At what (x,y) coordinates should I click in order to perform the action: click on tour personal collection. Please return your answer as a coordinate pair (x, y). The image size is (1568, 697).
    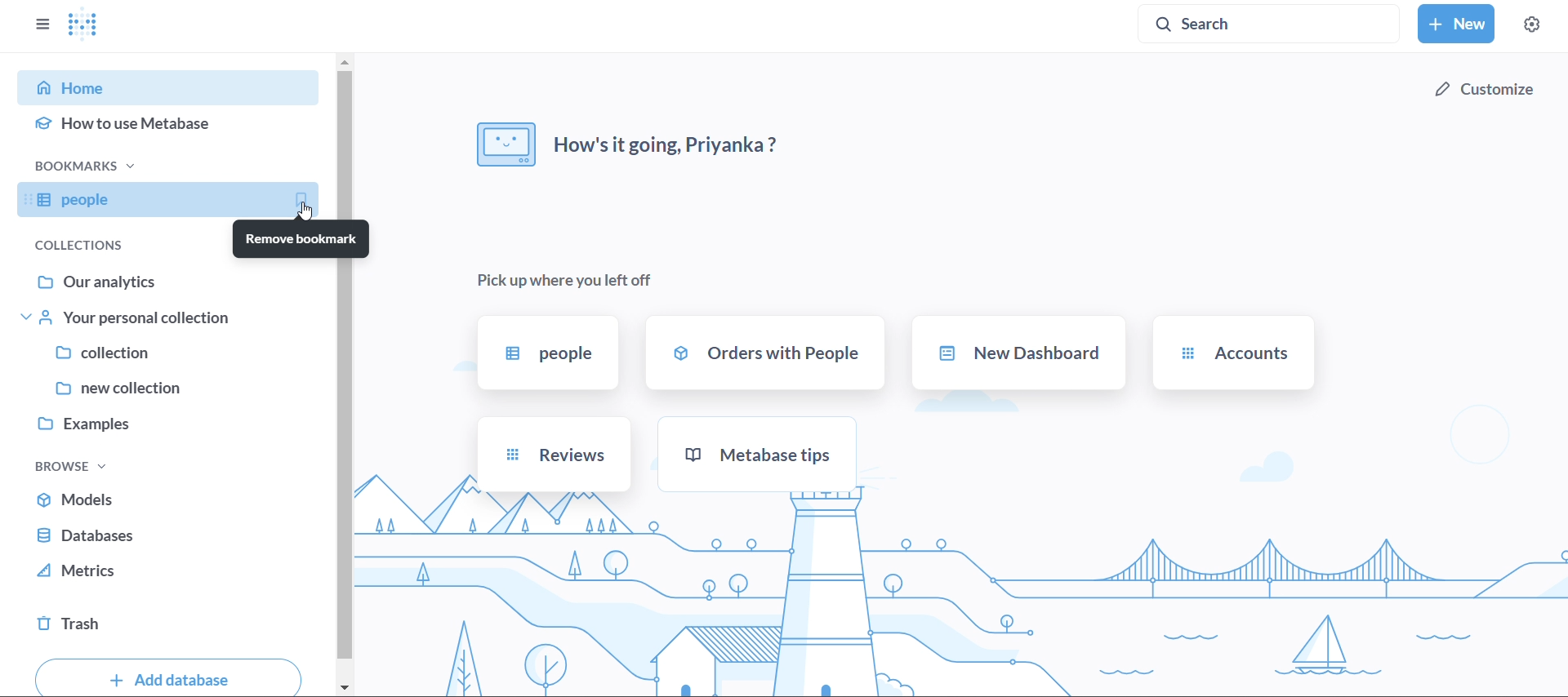
    Looking at the image, I should click on (168, 322).